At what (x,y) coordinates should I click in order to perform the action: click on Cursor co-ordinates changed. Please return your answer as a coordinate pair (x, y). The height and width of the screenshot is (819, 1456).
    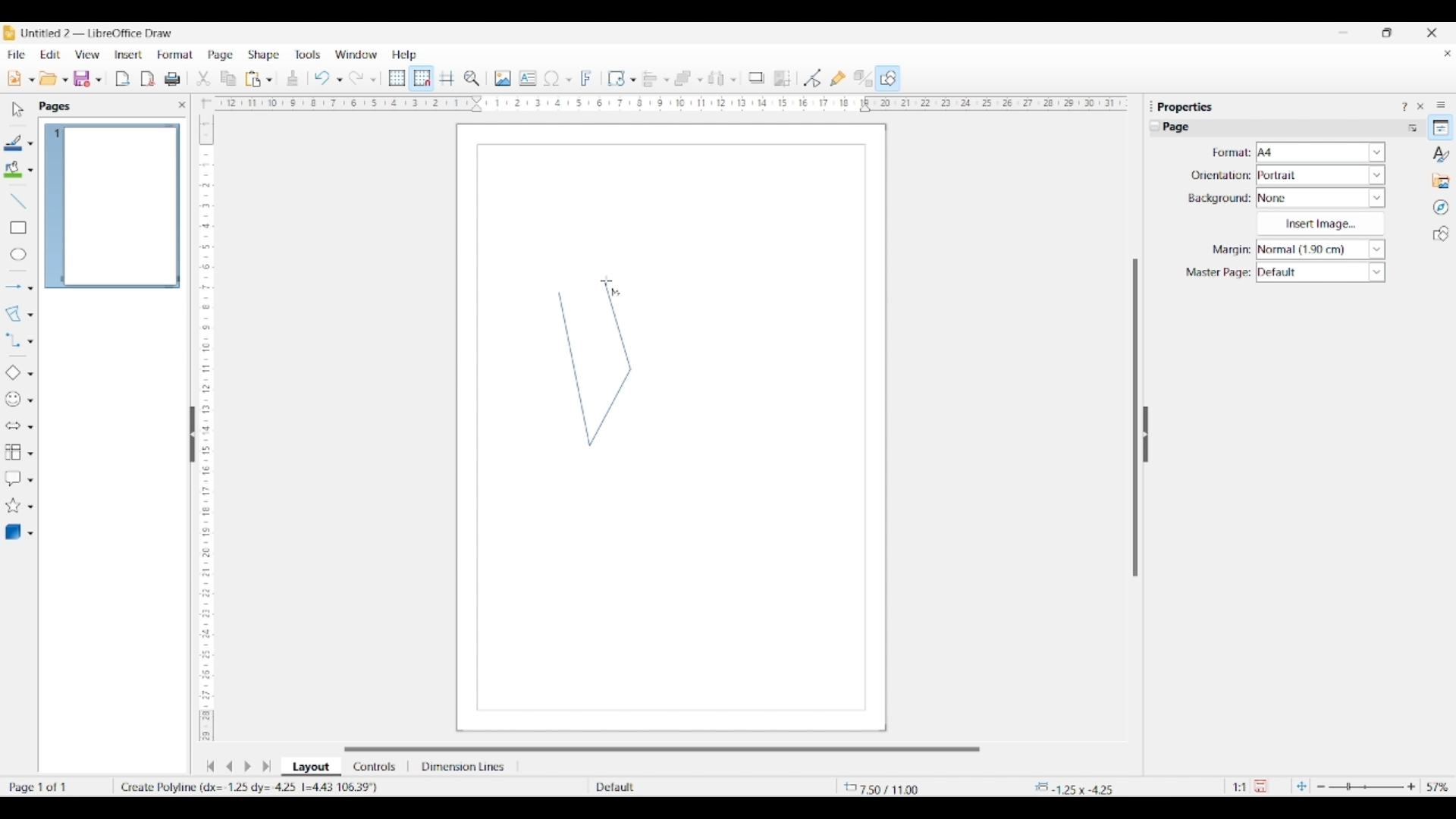
    Looking at the image, I should click on (900, 786).